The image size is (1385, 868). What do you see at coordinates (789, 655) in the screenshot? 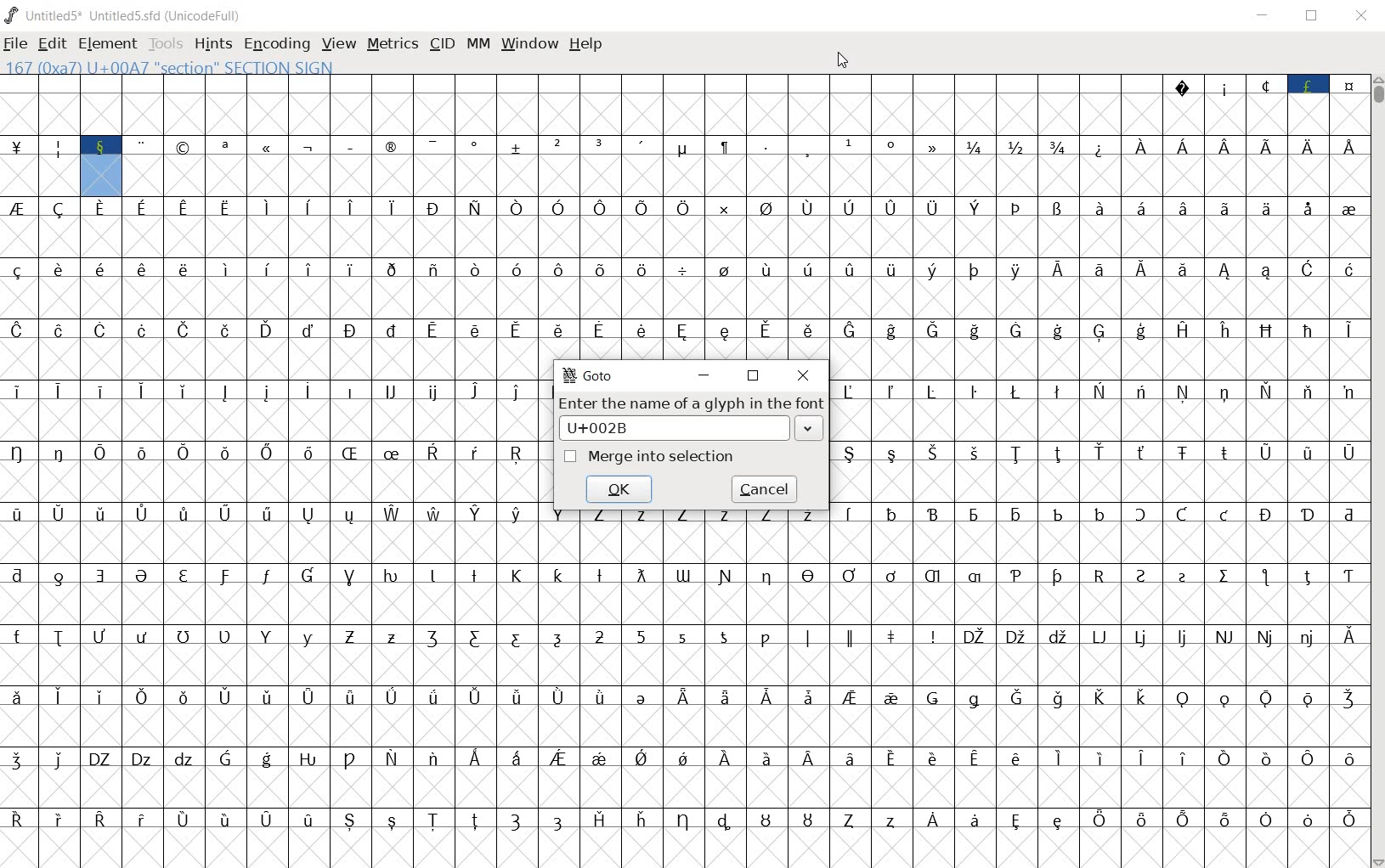
I see `special alphabets` at bounding box center [789, 655].